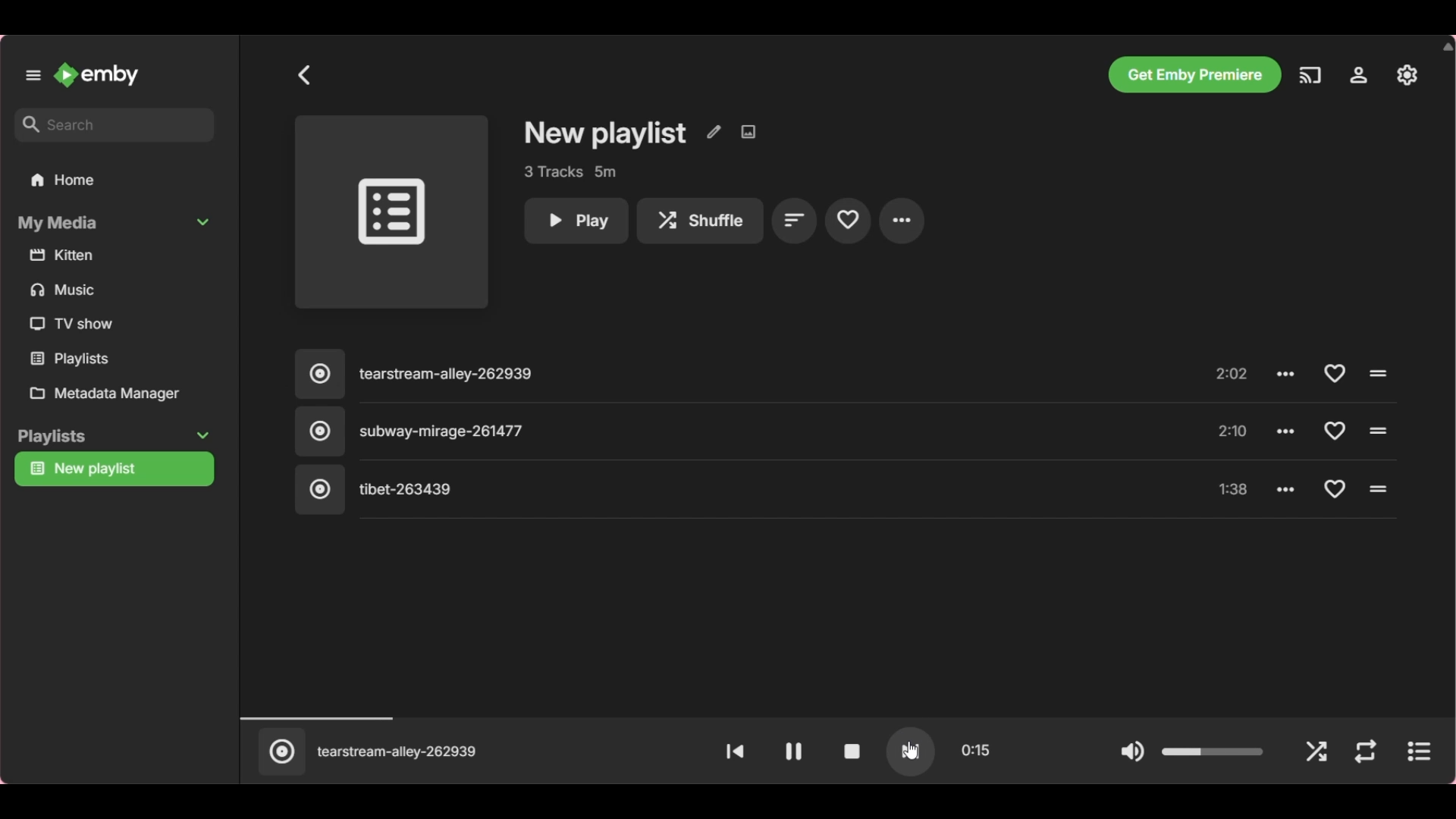 Image resolution: width=1456 pixels, height=819 pixels. I want to click on cursor, so click(912, 752).